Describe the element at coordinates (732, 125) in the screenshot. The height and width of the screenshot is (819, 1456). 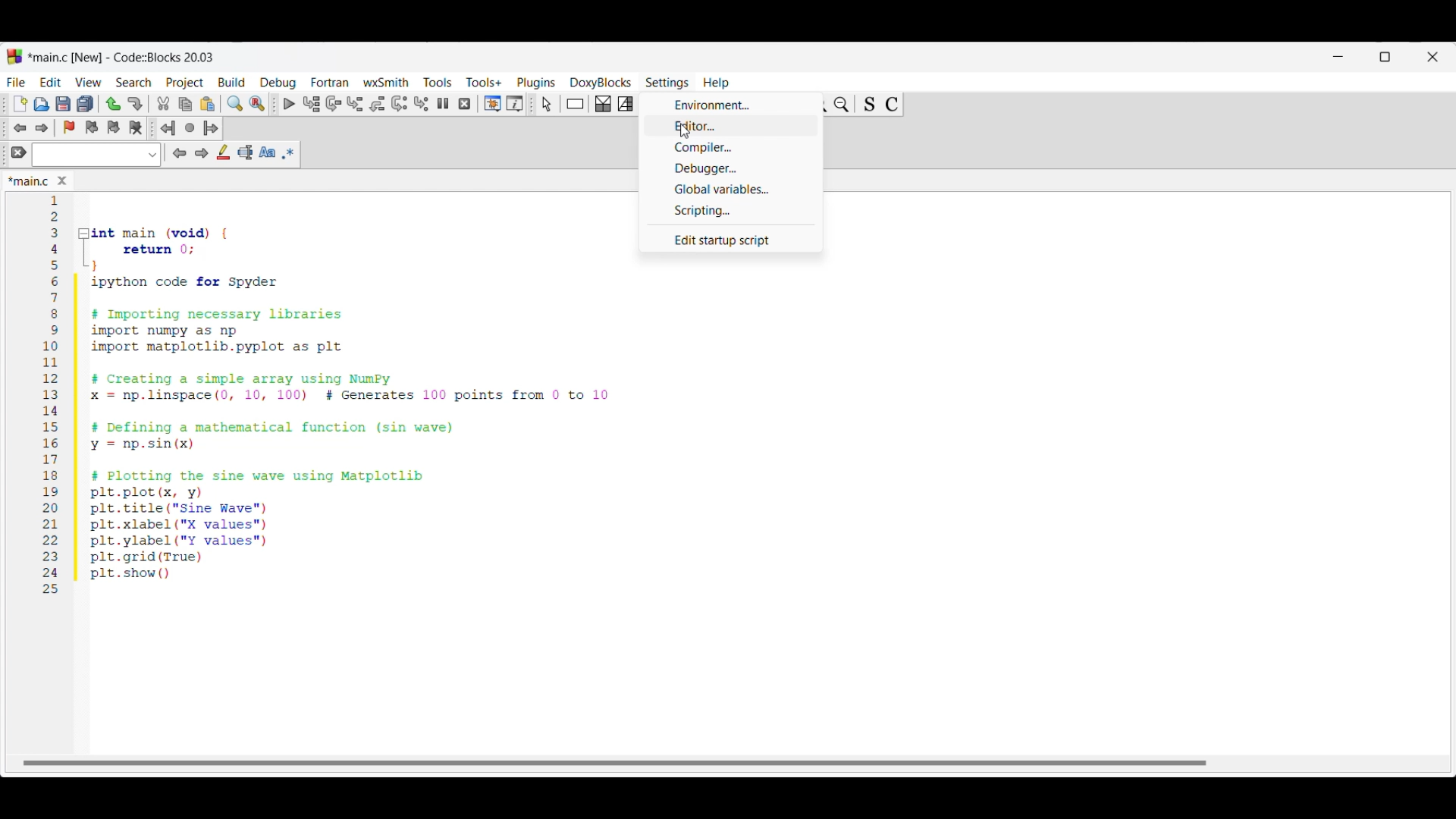
I see `Editor` at that location.